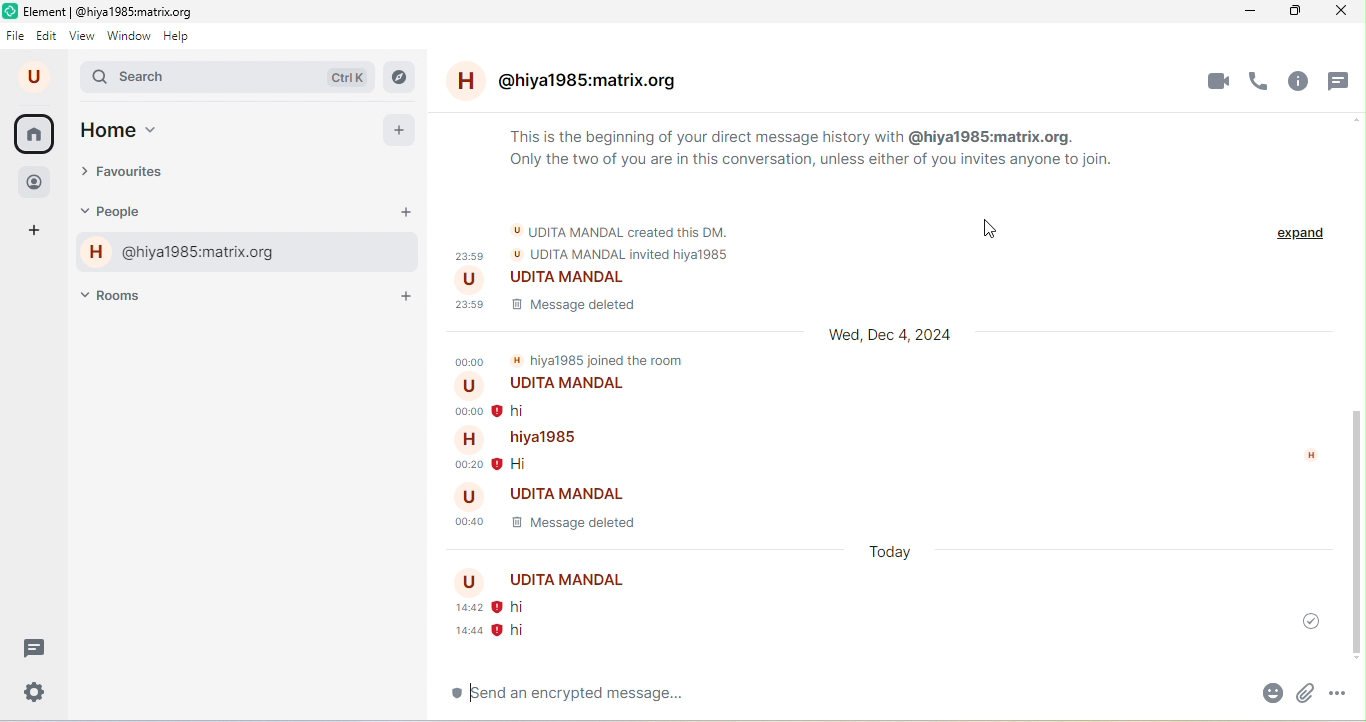  What do you see at coordinates (1301, 619) in the screenshot?
I see `message was sent` at bounding box center [1301, 619].